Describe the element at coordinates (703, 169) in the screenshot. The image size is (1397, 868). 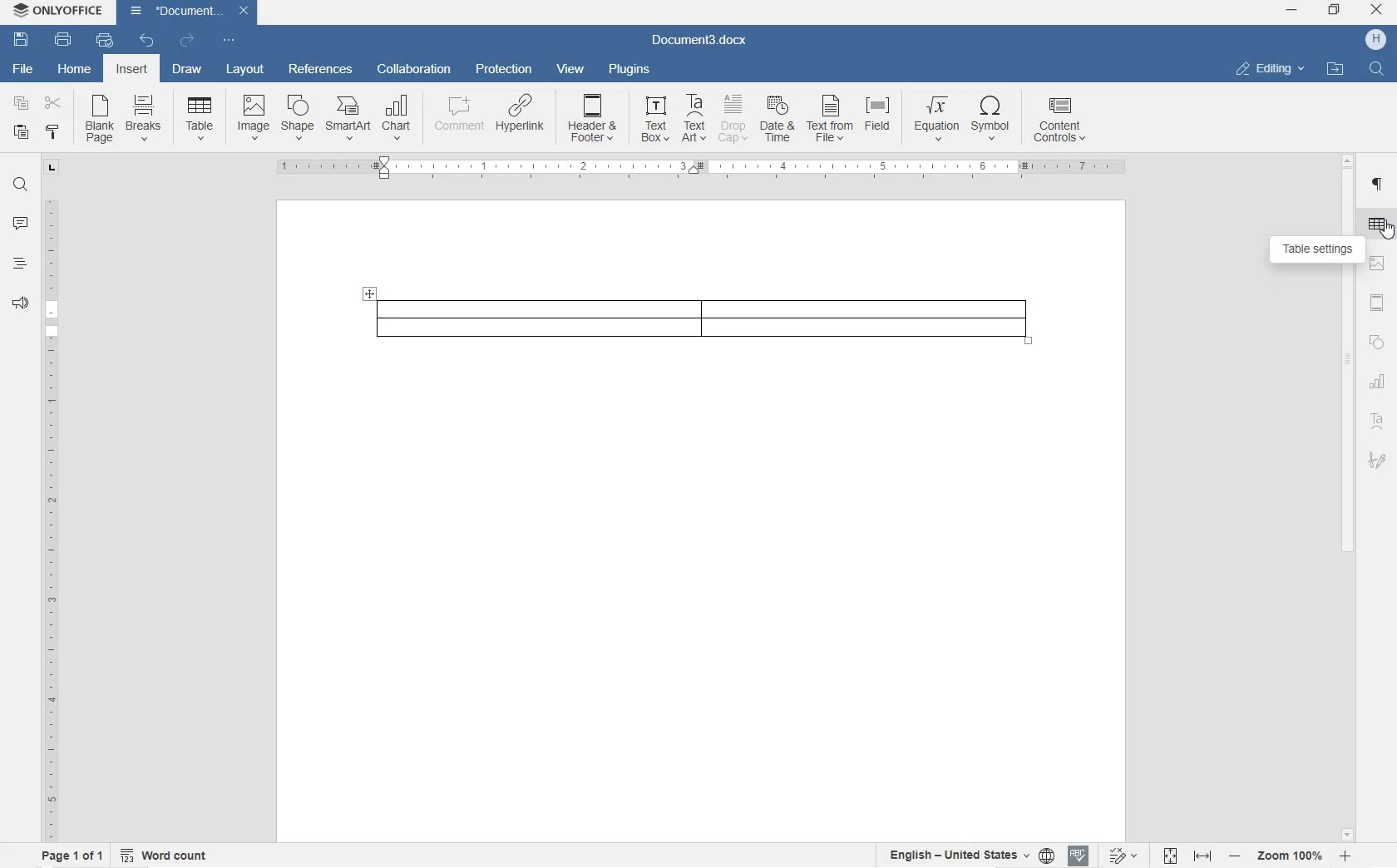
I see `Ruler` at that location.